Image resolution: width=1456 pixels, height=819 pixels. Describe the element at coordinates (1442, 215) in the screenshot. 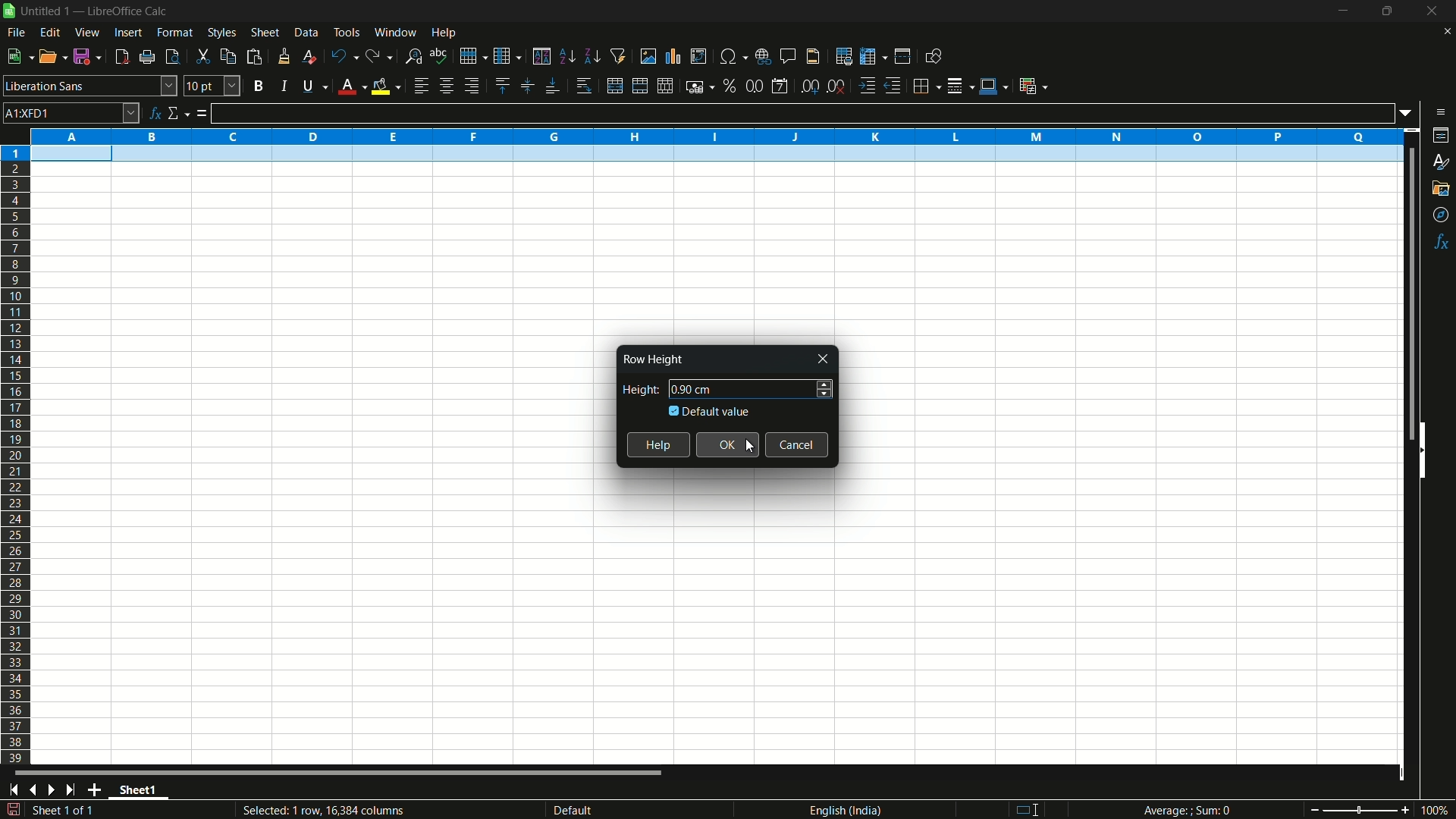

I see `navigator` at that location.